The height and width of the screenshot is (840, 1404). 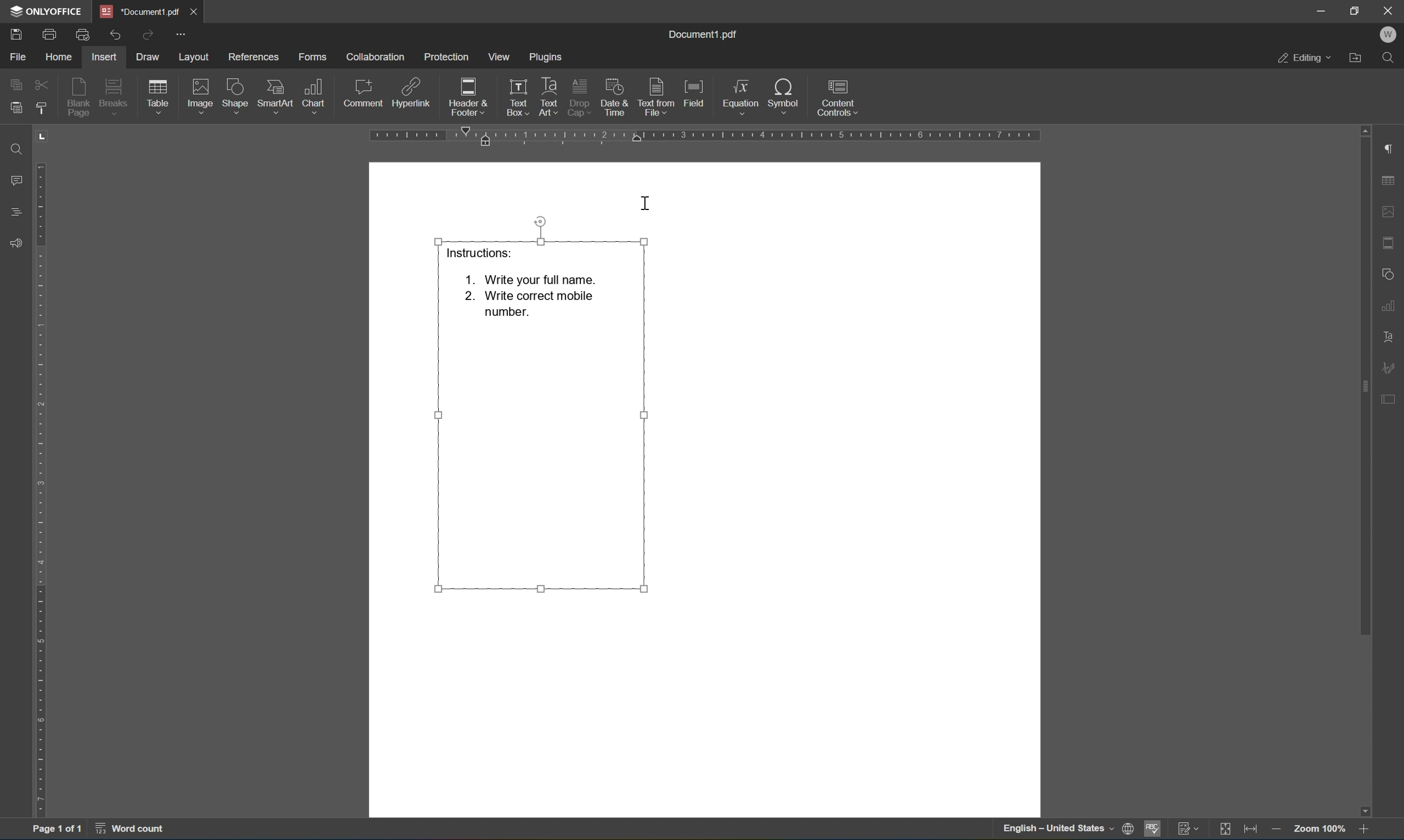 What do you see at coordinates (254, 58) in the screenshot?
I see `references` at bounding box center [254, 58].